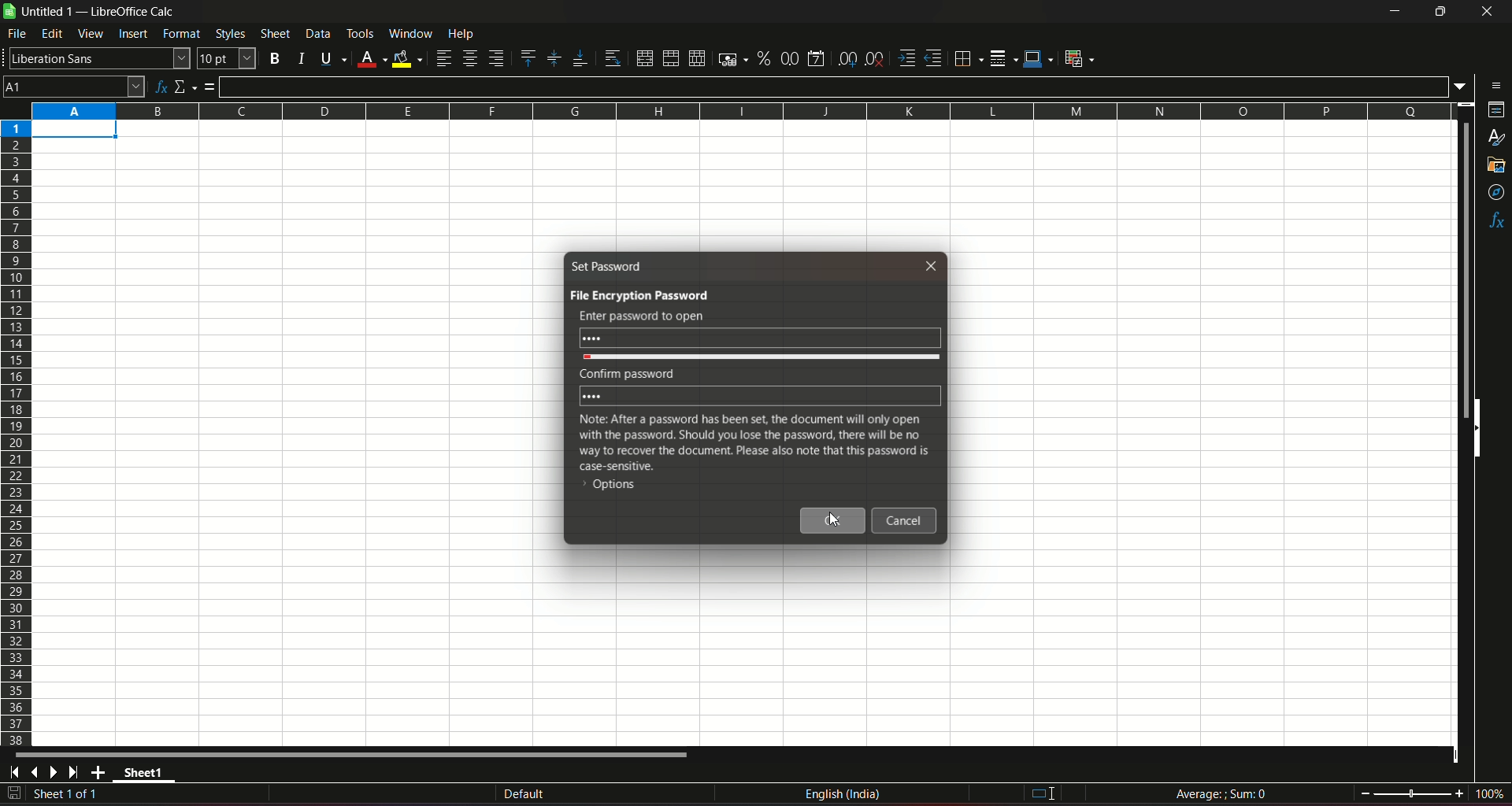 This screenshot has height=806, width=1512. I want to click on delete decimal point, so click(876, 58).